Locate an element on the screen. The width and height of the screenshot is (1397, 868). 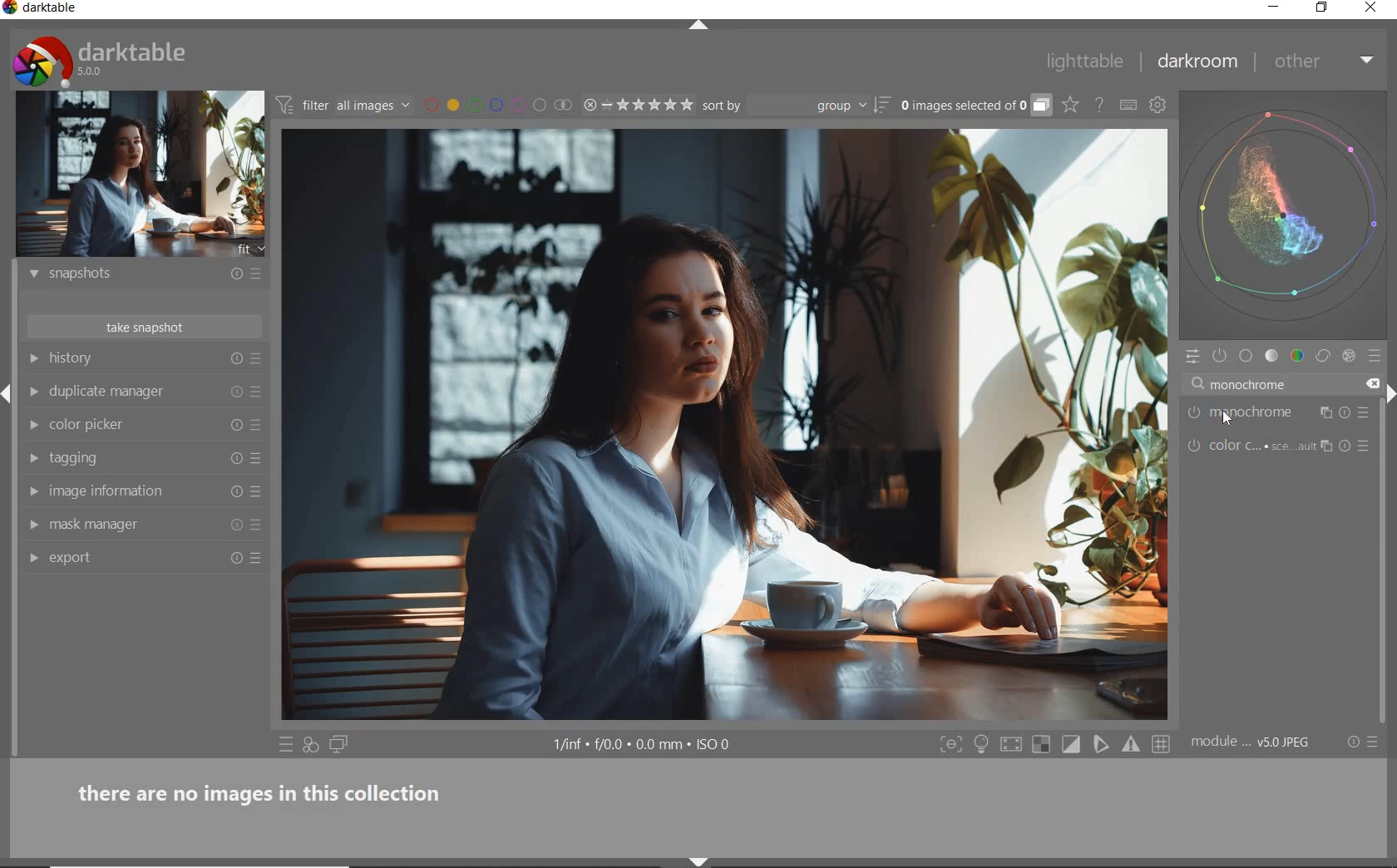
tagging is located at coordinates (131, 458).